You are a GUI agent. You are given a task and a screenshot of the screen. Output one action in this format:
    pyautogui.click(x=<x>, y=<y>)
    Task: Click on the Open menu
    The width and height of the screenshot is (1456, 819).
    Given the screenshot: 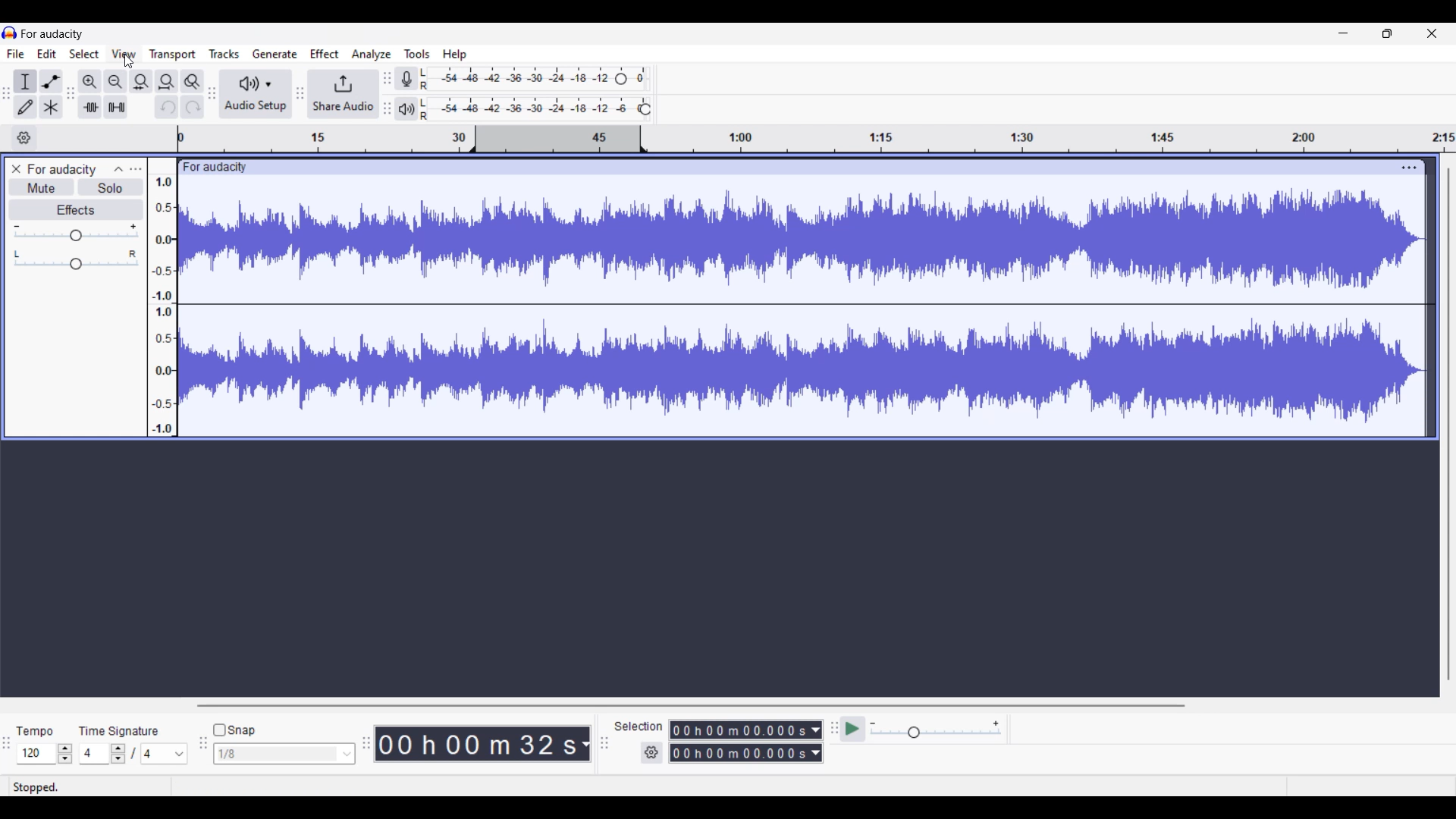 What is the action you would take?
    pyautogui.click(x=136, y=168)
    